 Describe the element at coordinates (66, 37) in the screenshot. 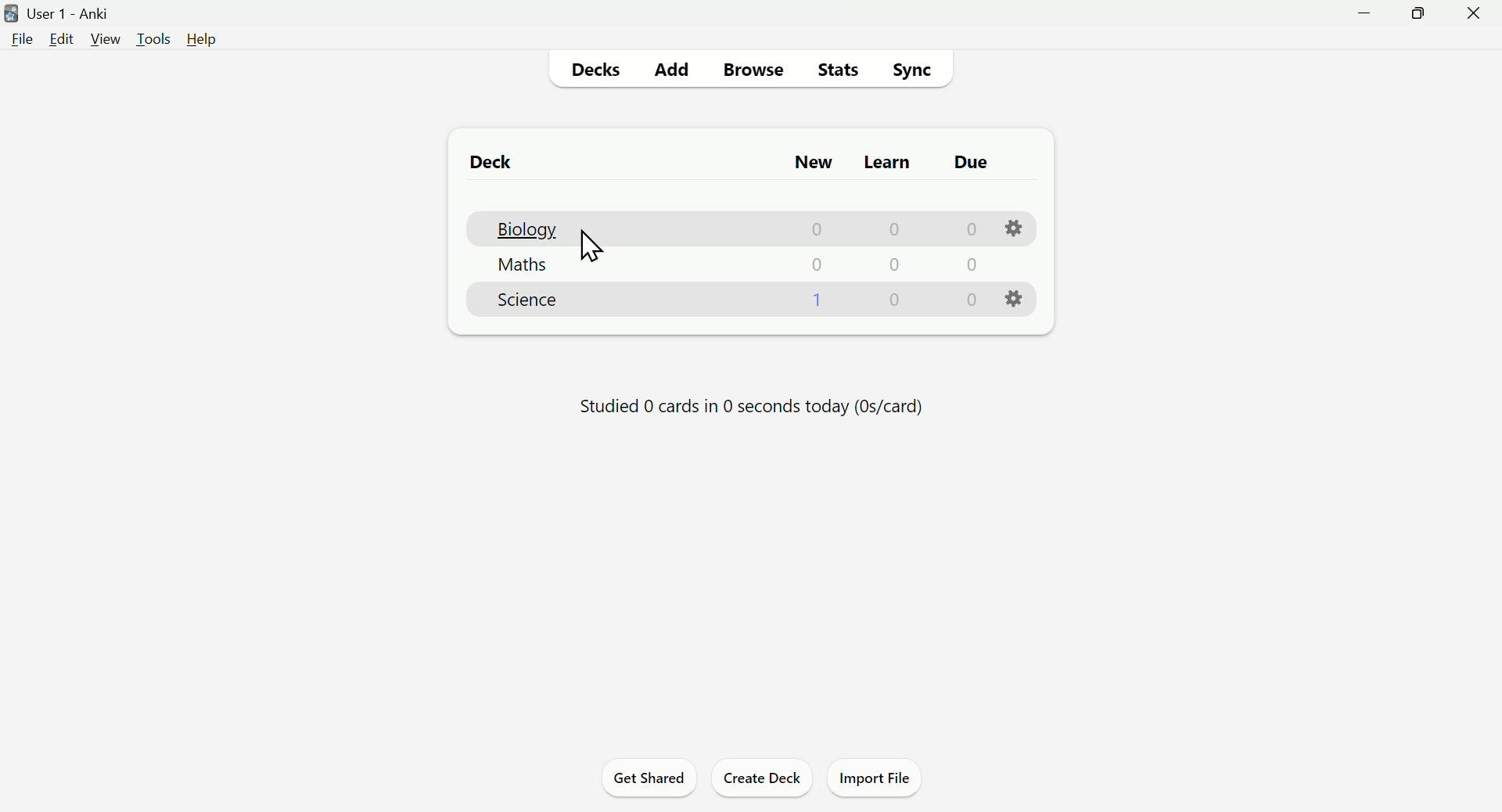

I see `Edit` at that location.